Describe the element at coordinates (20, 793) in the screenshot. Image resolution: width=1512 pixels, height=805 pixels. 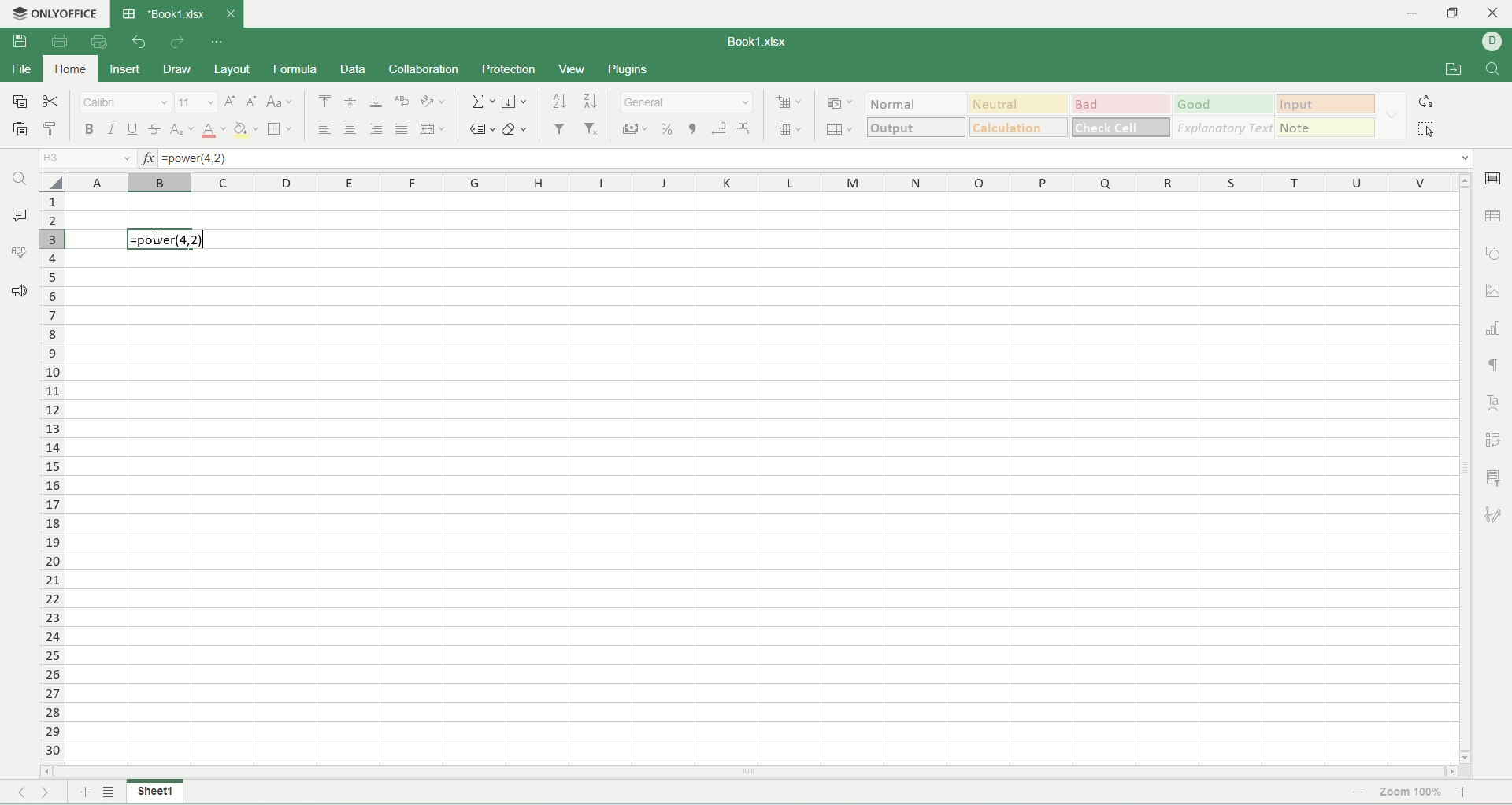
I see `previous` at that location.